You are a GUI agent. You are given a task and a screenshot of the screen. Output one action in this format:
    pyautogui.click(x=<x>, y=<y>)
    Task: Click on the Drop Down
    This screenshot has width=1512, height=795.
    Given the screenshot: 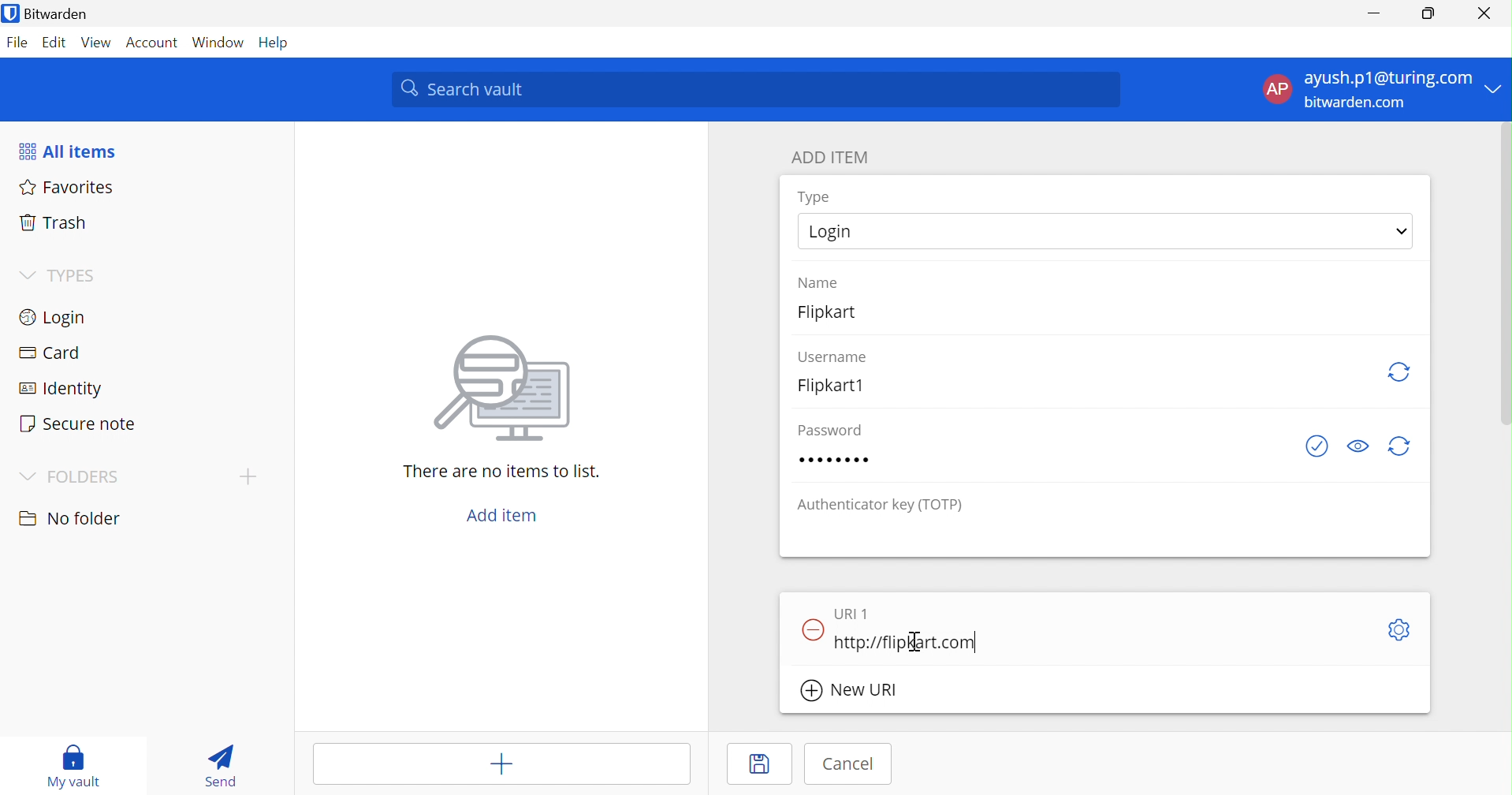 What is the action you would take?
    pyautogui.click(x=28, y=477)
    